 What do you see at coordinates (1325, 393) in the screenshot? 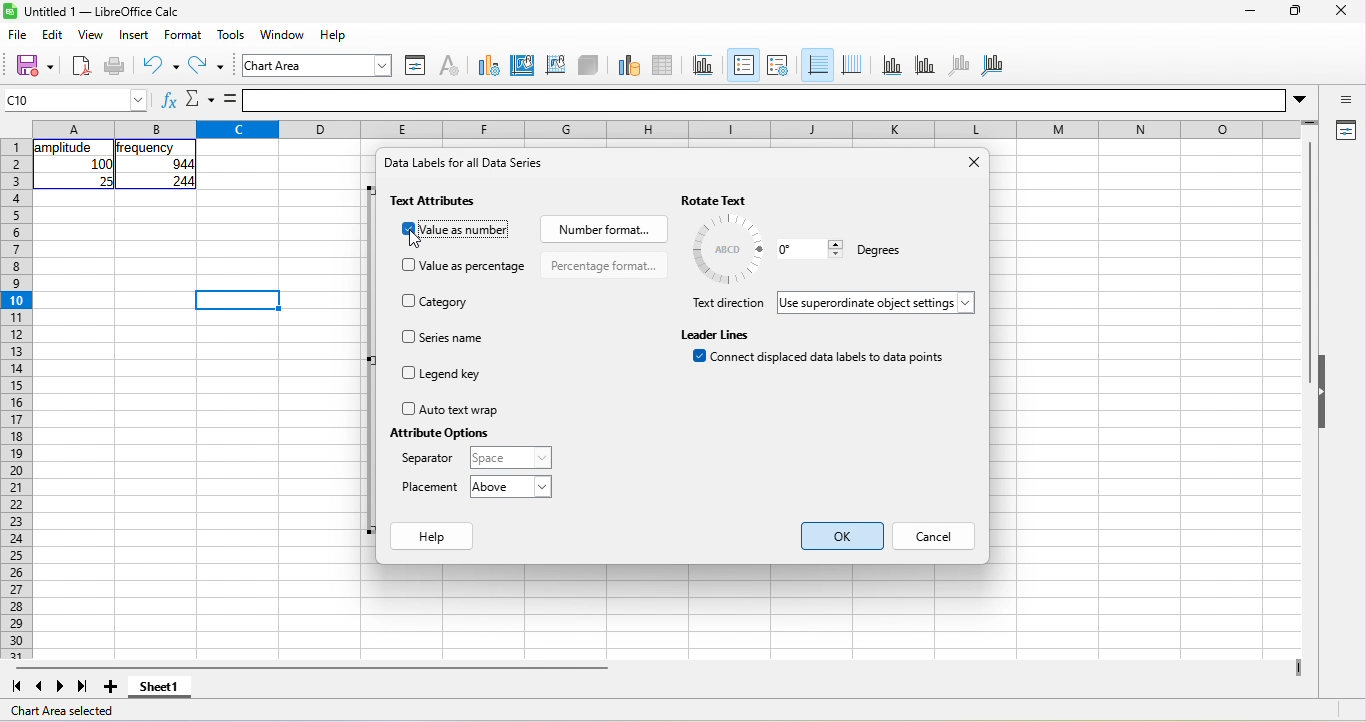
I see `hide ` at bounding box center [1325, 393].